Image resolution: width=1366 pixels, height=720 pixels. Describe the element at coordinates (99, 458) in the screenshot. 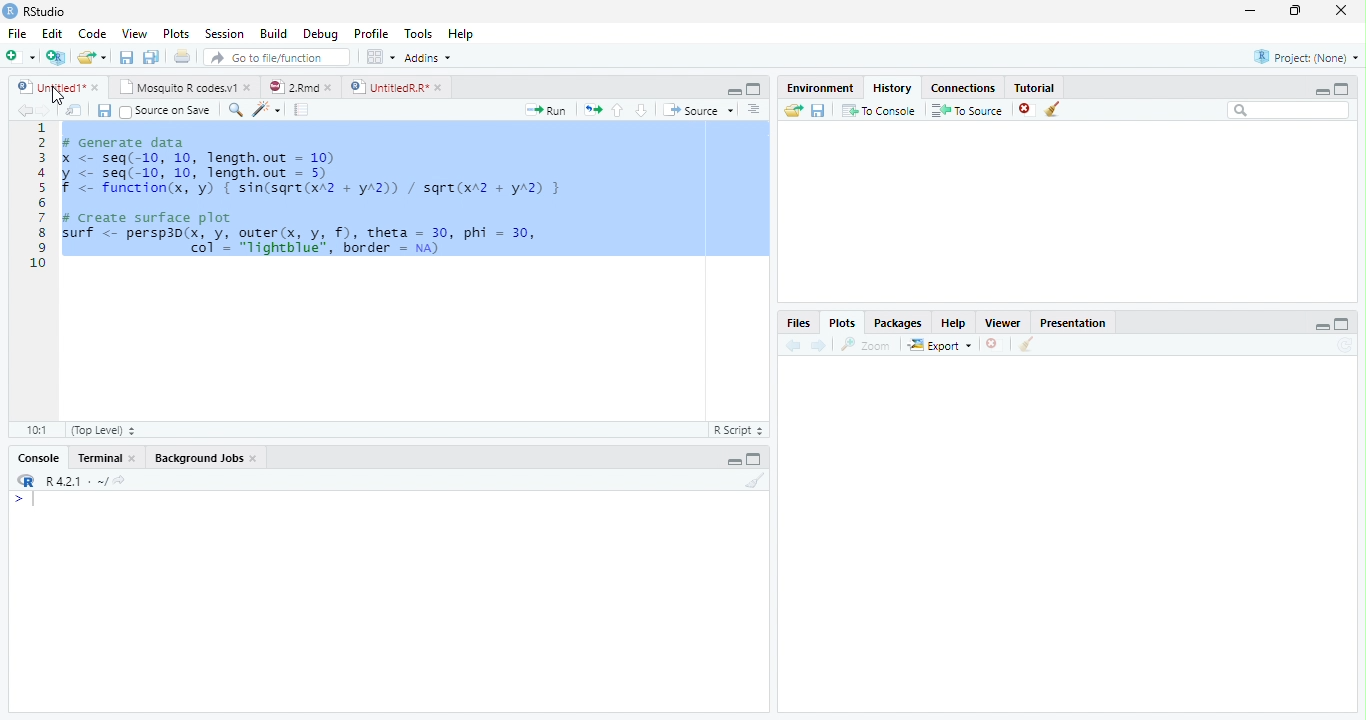

I see `Terminal` at that location.